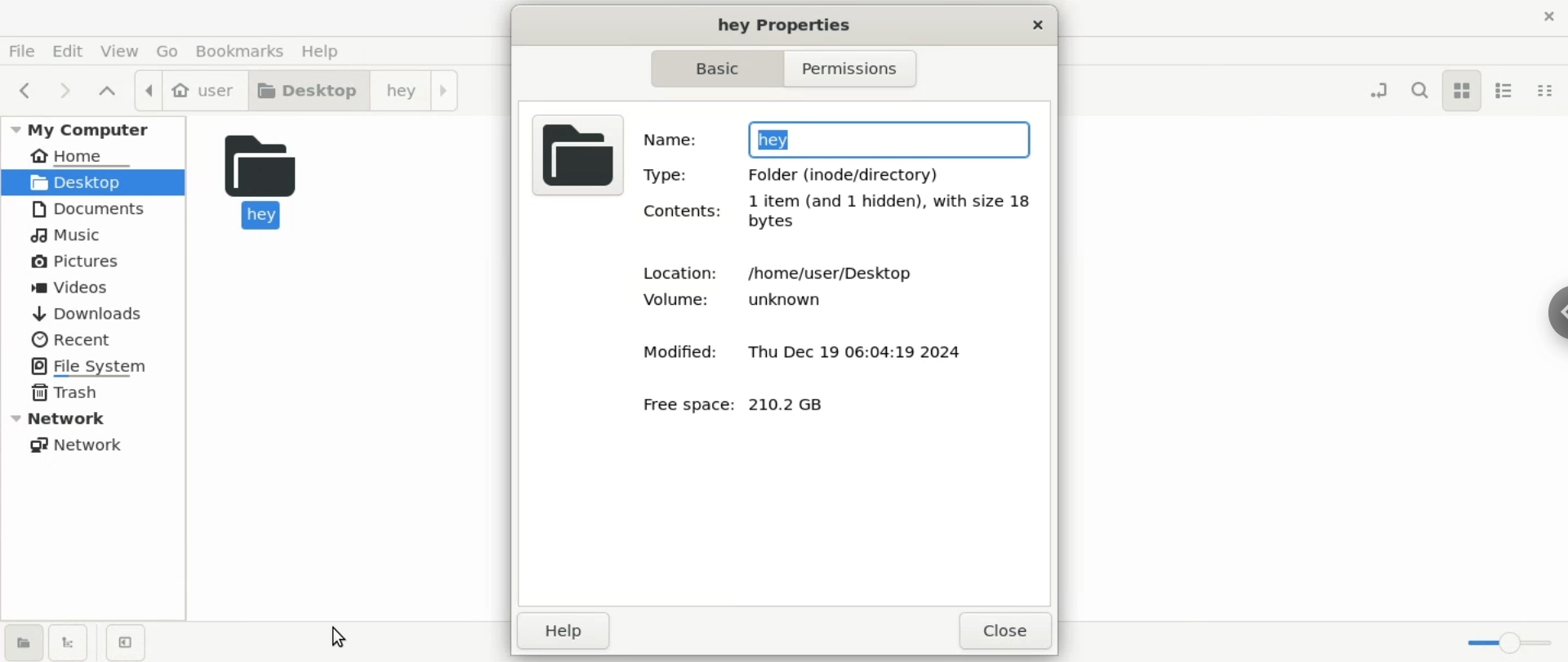 This screenshot has width=1568, height=662. What do you see at coordinates (306, 90) in the screenshot?
I see `desktopm` at bounding box center [306, 90].